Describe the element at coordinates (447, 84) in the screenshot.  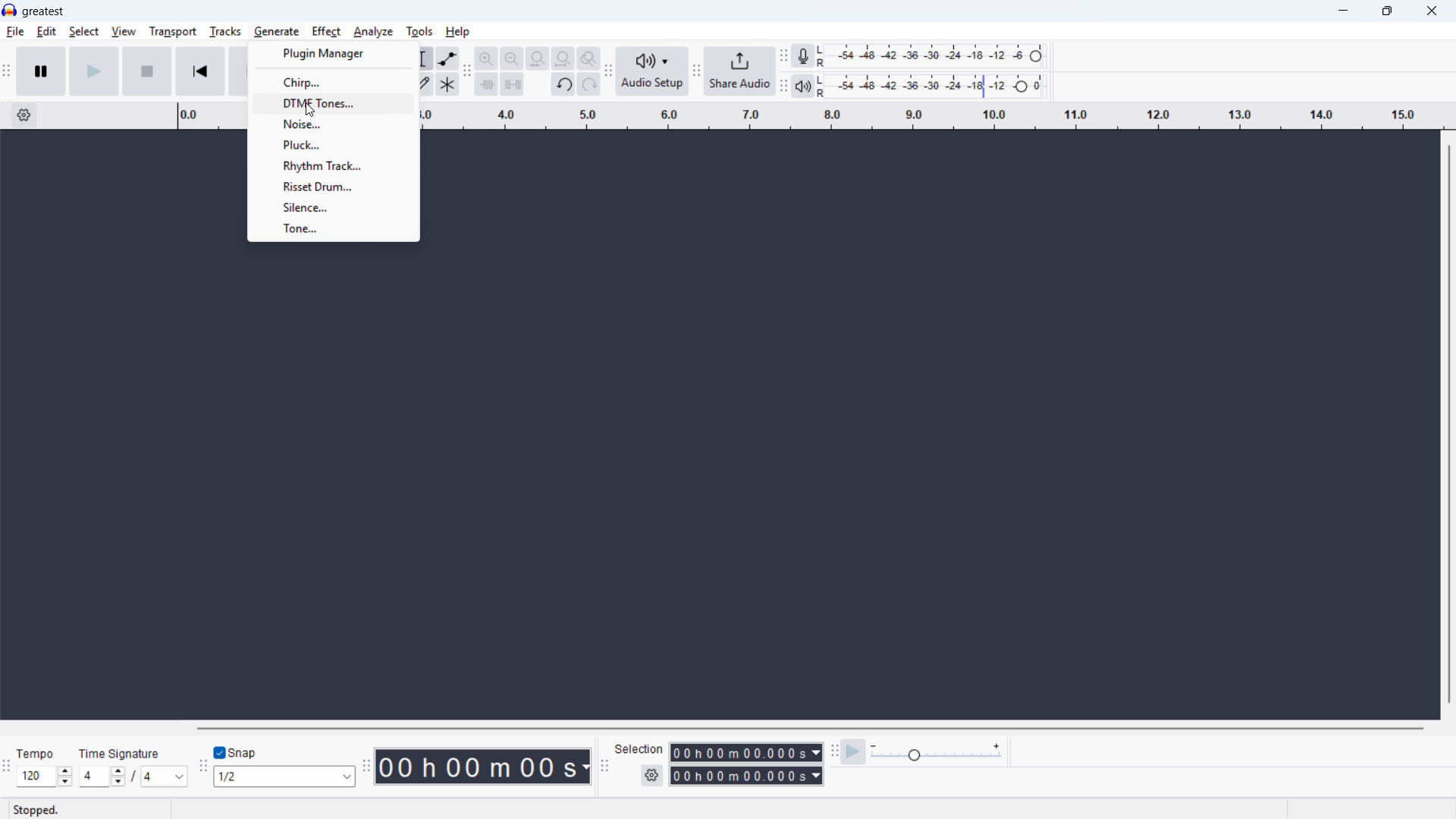
I see `multi-tool` at that location.